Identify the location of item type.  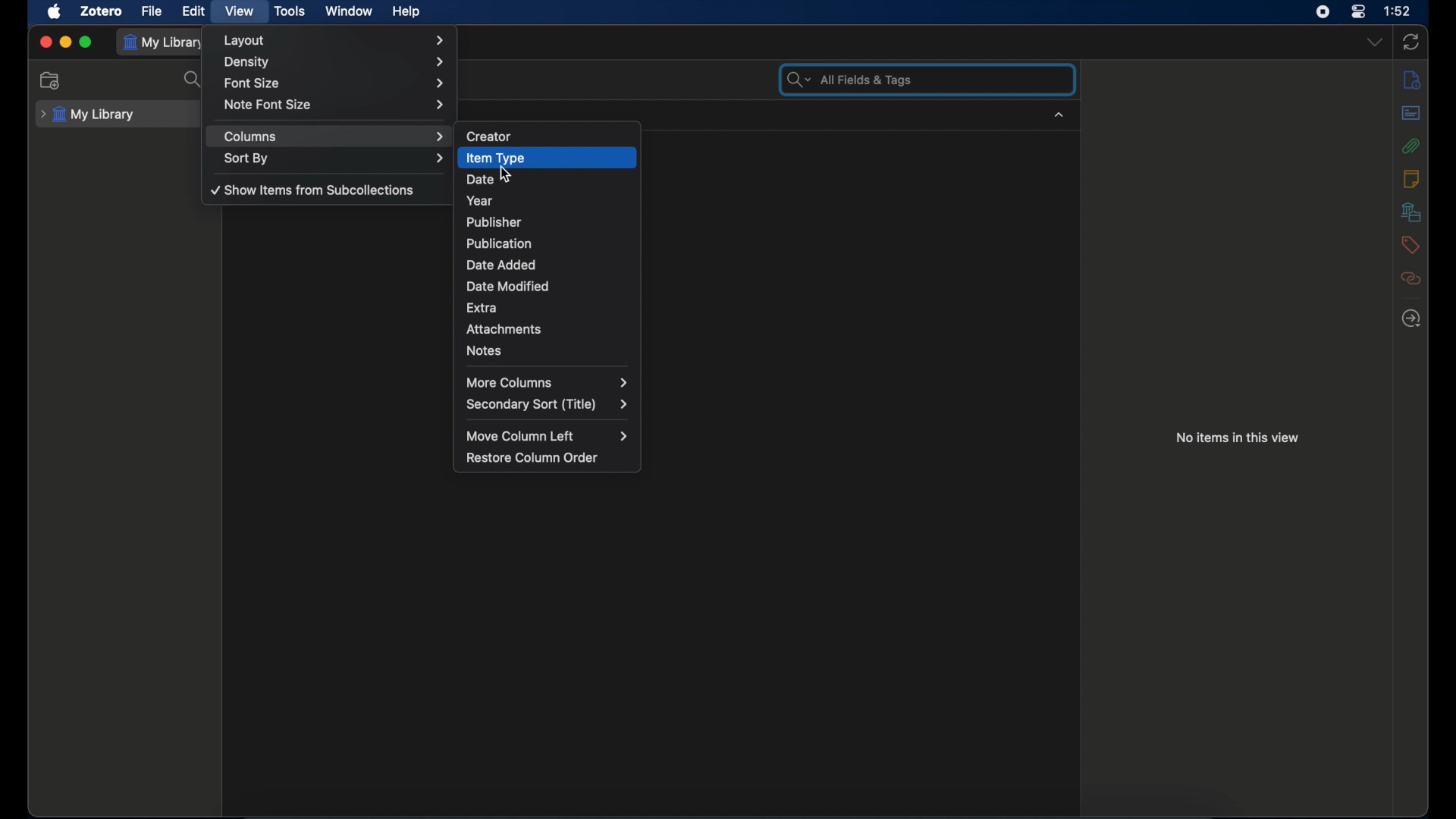
(495, 158).